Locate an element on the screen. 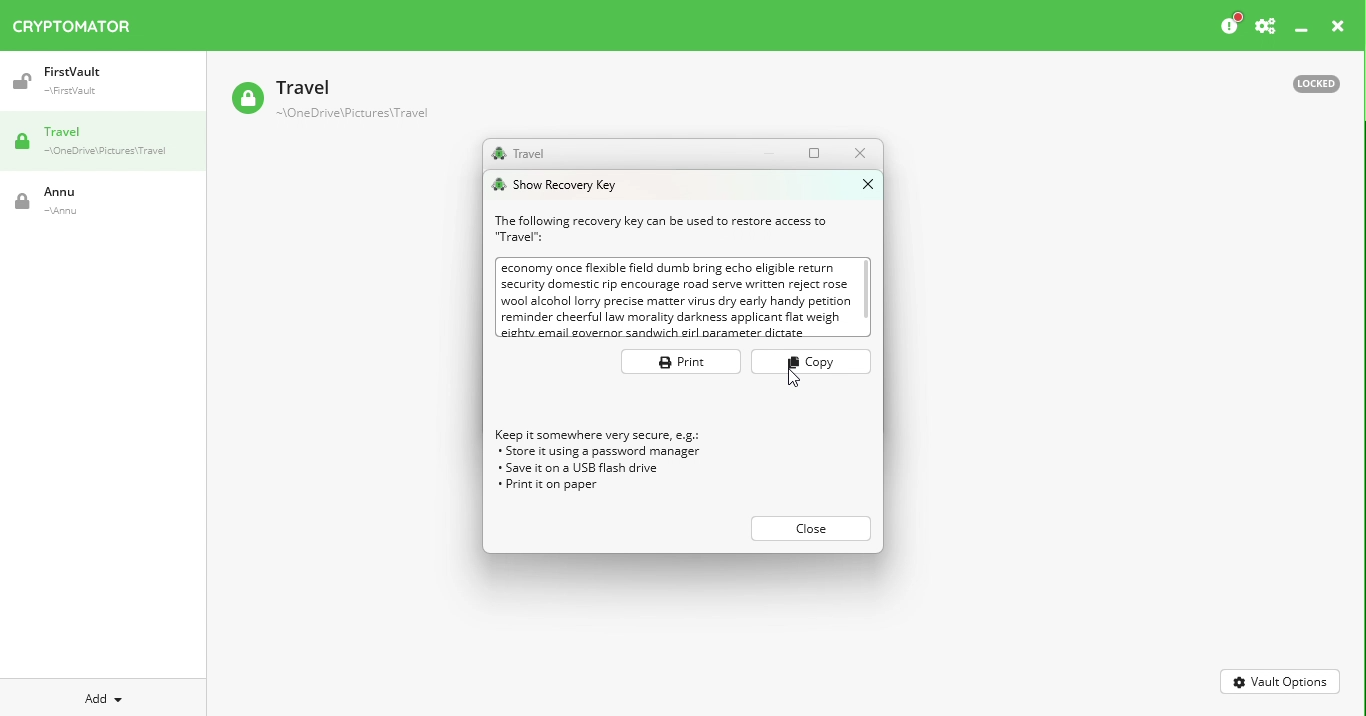 The height and width of the screenshot is (716, 1366). Add new vault is located at coordinates (104, 696).